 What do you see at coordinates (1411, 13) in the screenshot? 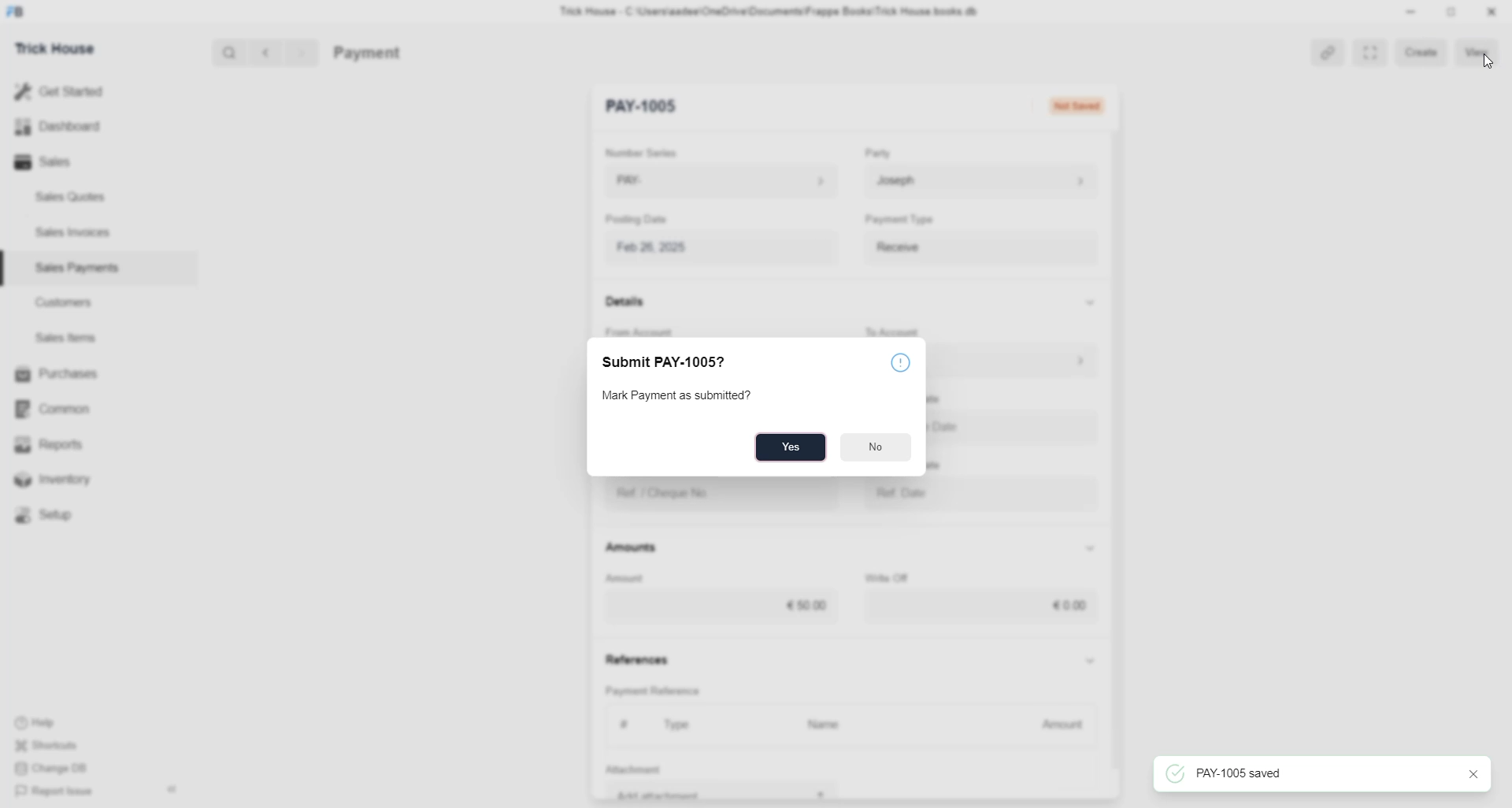
I see `minimize` at bounding box center [1411, 13].